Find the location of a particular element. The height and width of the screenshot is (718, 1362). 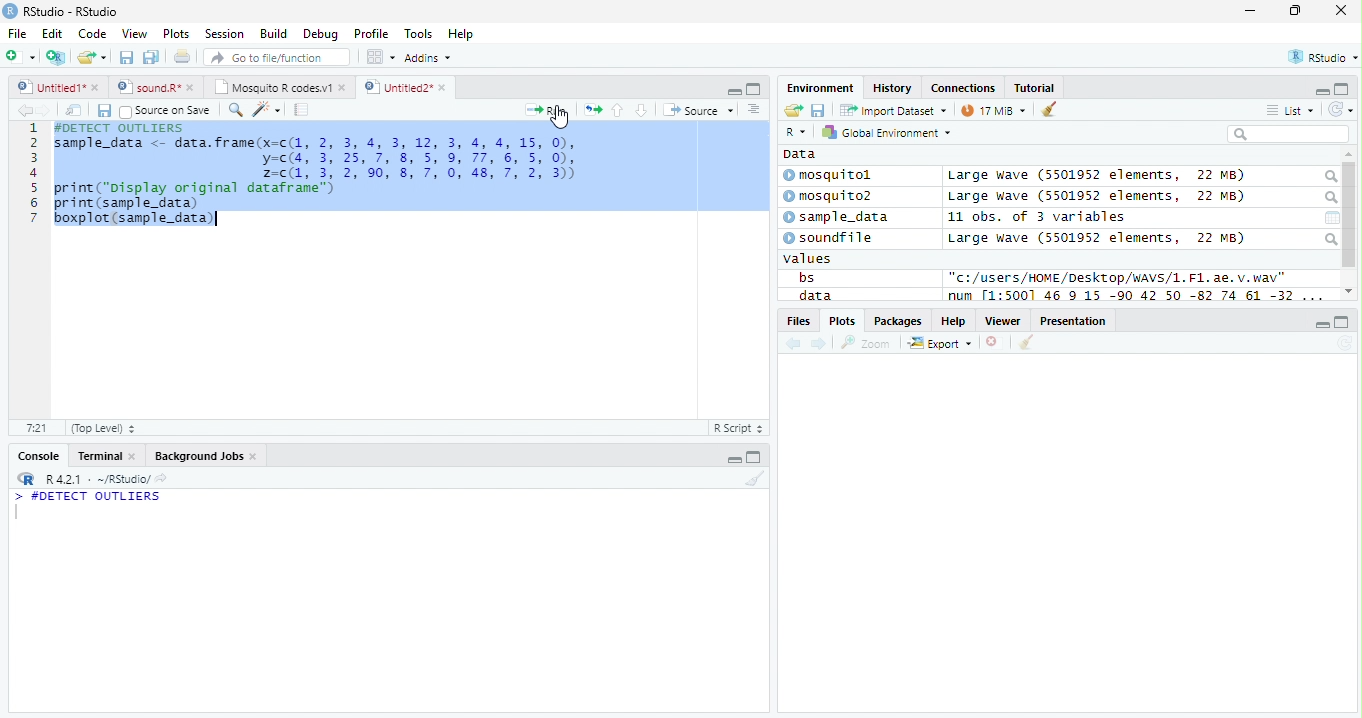

Connections is located at coordinates (964, 87).